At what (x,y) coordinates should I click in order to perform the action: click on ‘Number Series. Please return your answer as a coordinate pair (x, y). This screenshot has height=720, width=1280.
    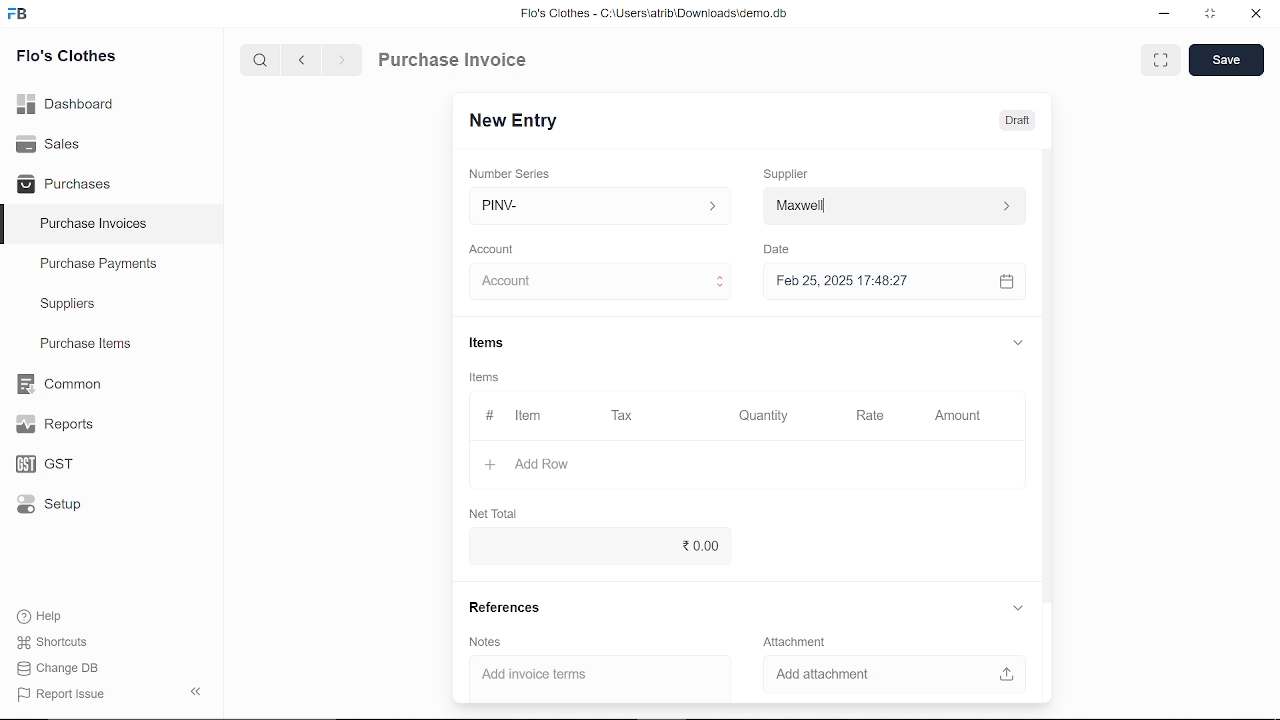
    Looking at the image, I should click on (516, 173).